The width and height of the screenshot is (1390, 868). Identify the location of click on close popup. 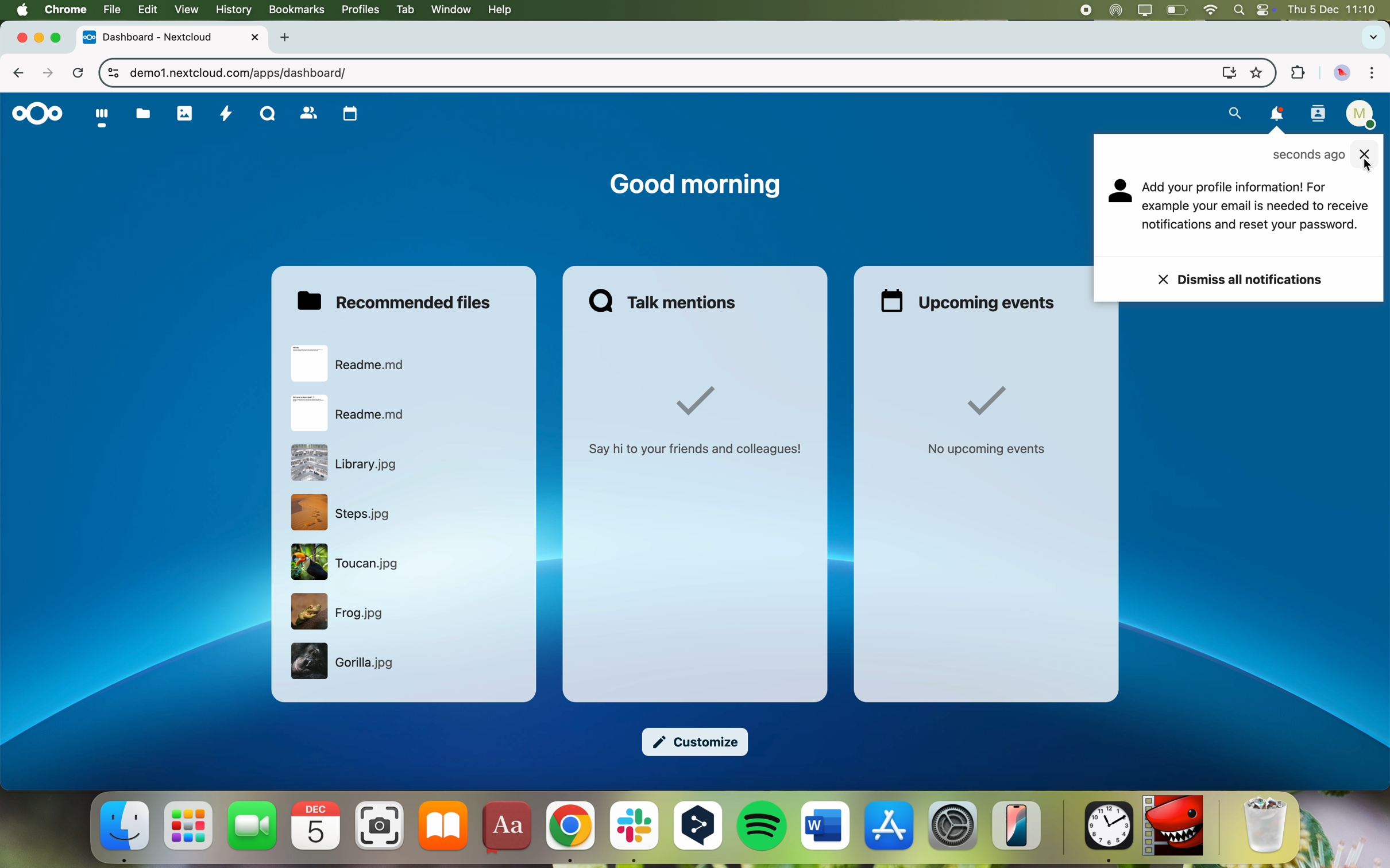
(1365, 149).